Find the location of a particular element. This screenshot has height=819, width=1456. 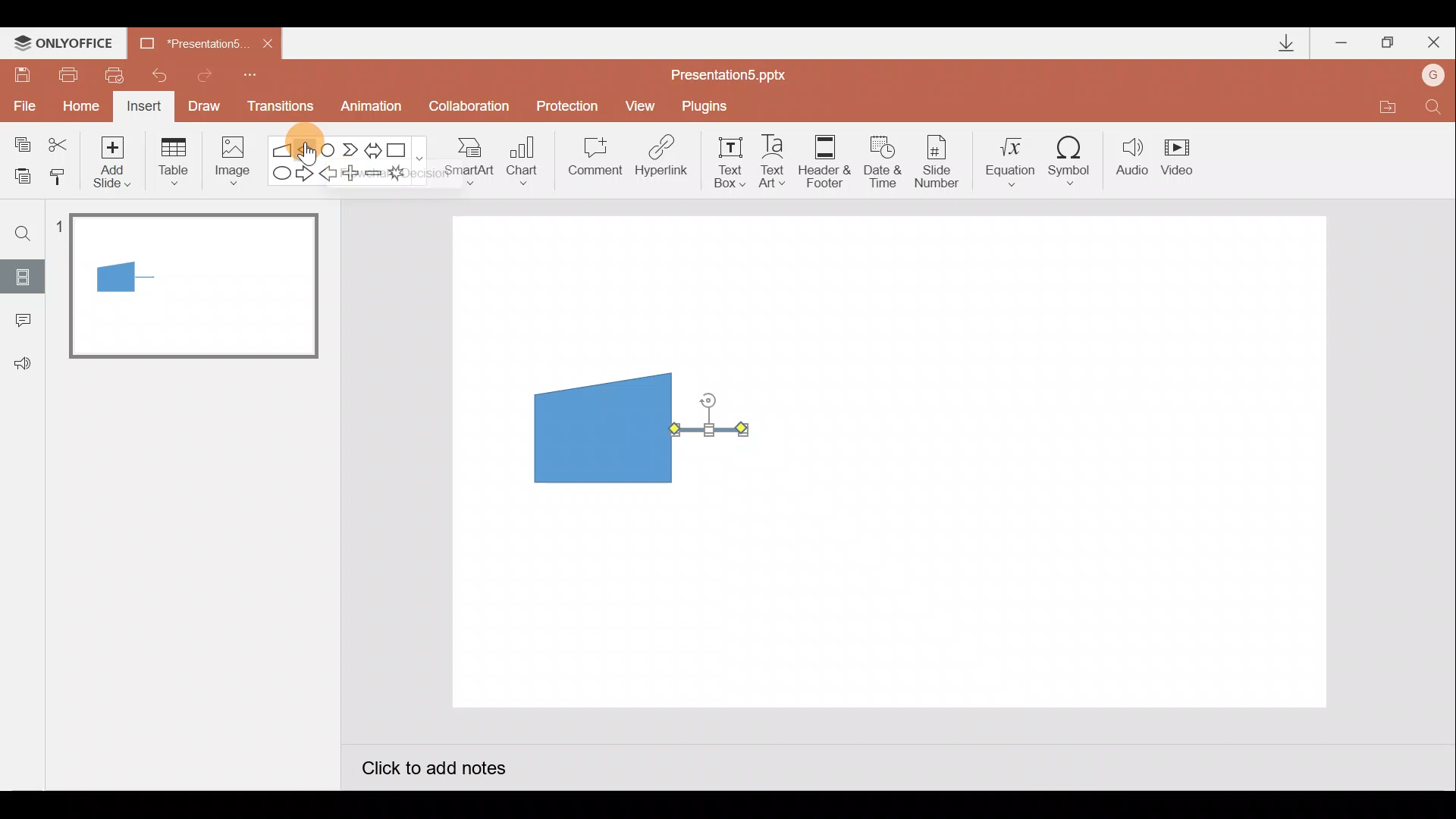

Insert is located at coordinates (142, 108).